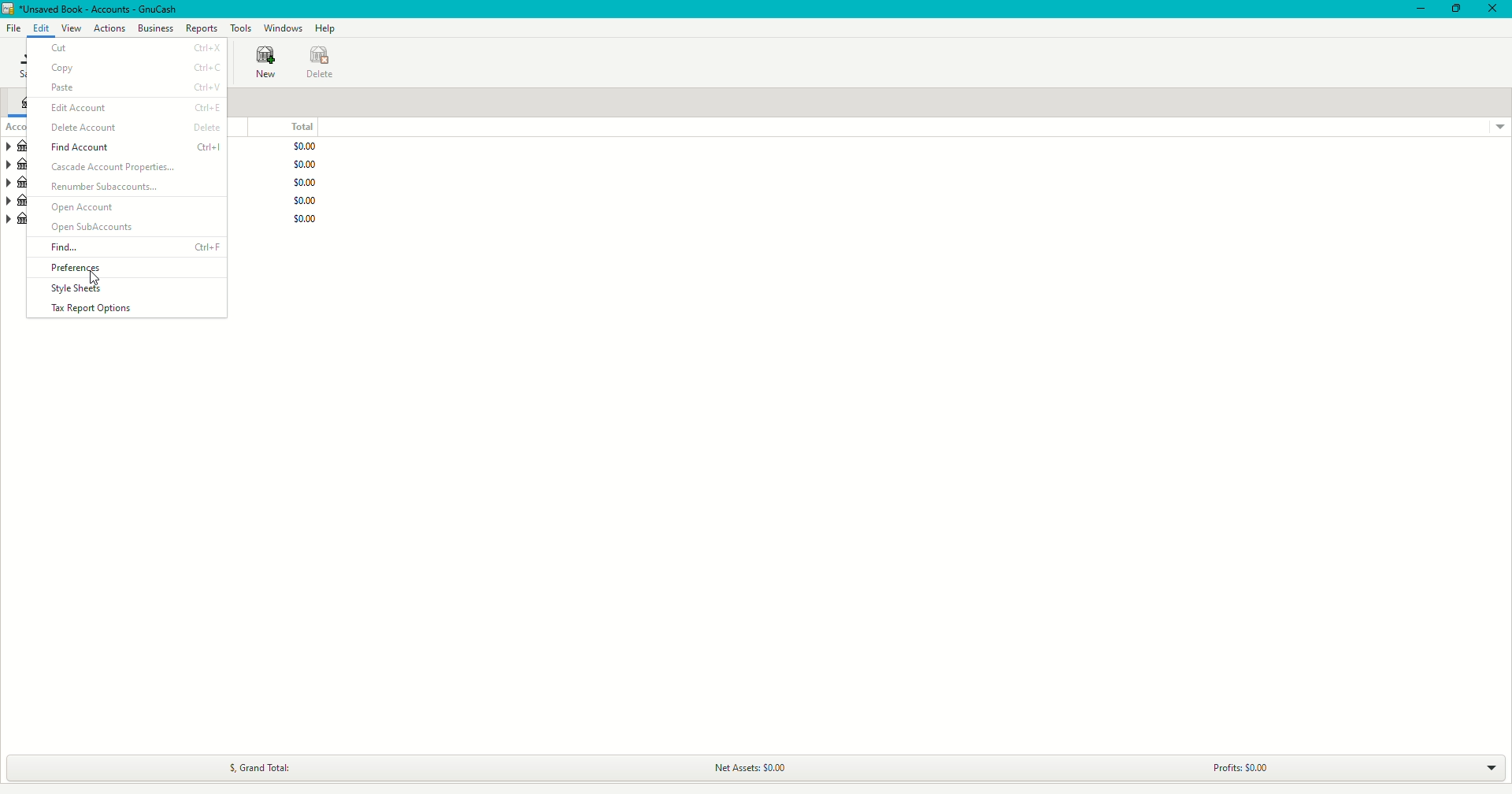 The image size is (1512, 794). I want to click on file name, so click(102, 9).